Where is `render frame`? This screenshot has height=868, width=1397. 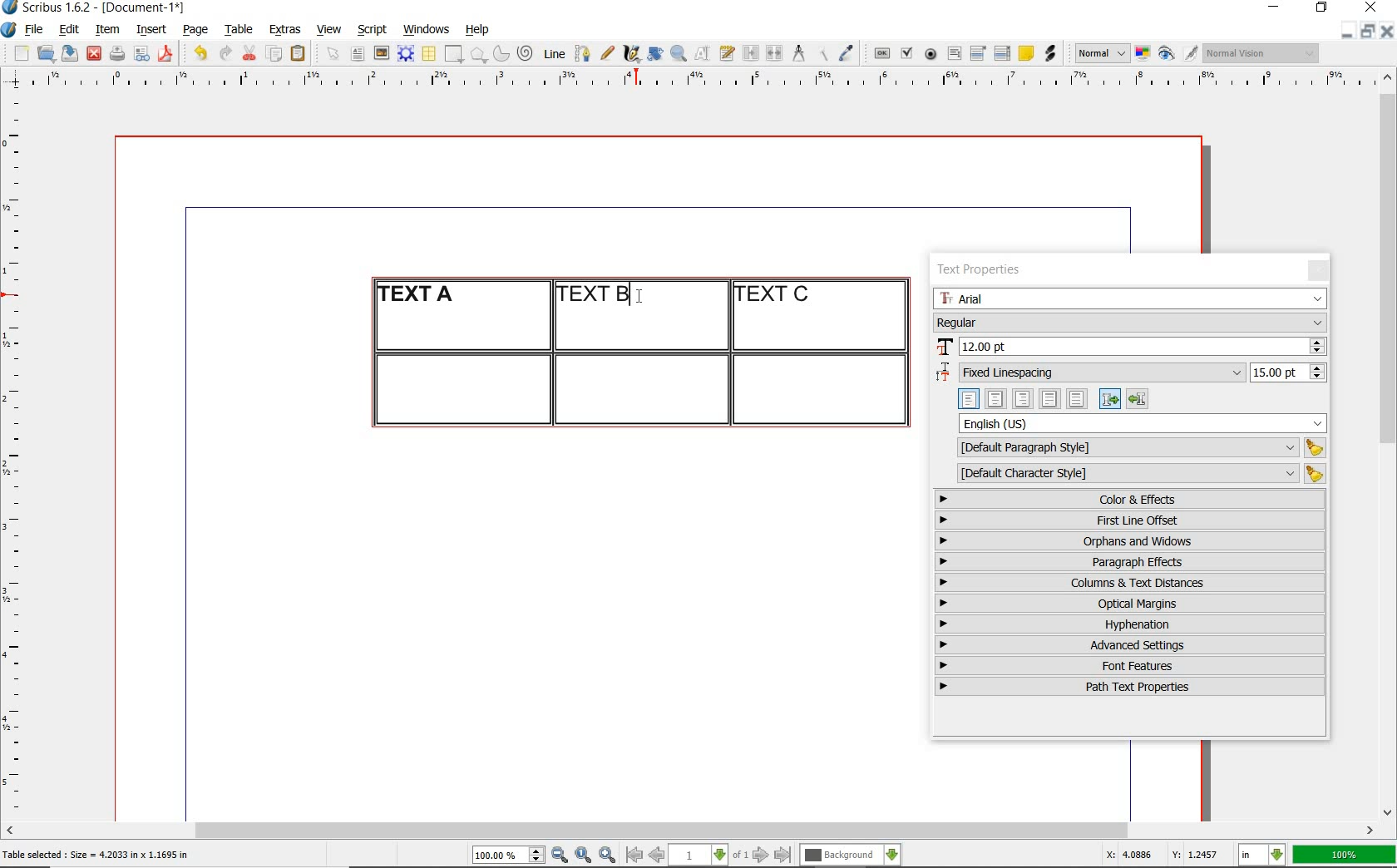
render frame is located at coordinates (406, 54).